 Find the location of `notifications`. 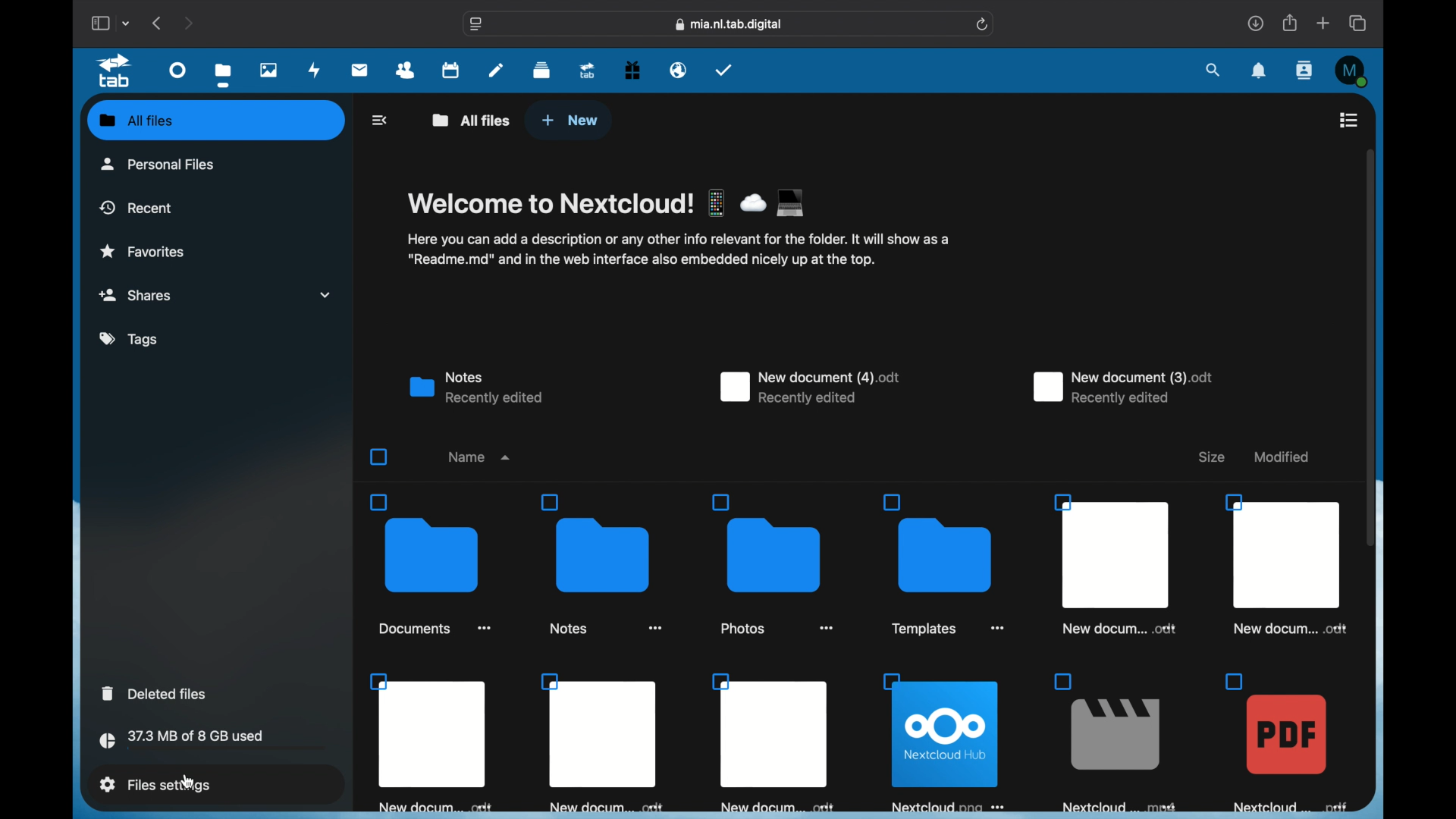

notifications is located at coordinates (1260, 71).